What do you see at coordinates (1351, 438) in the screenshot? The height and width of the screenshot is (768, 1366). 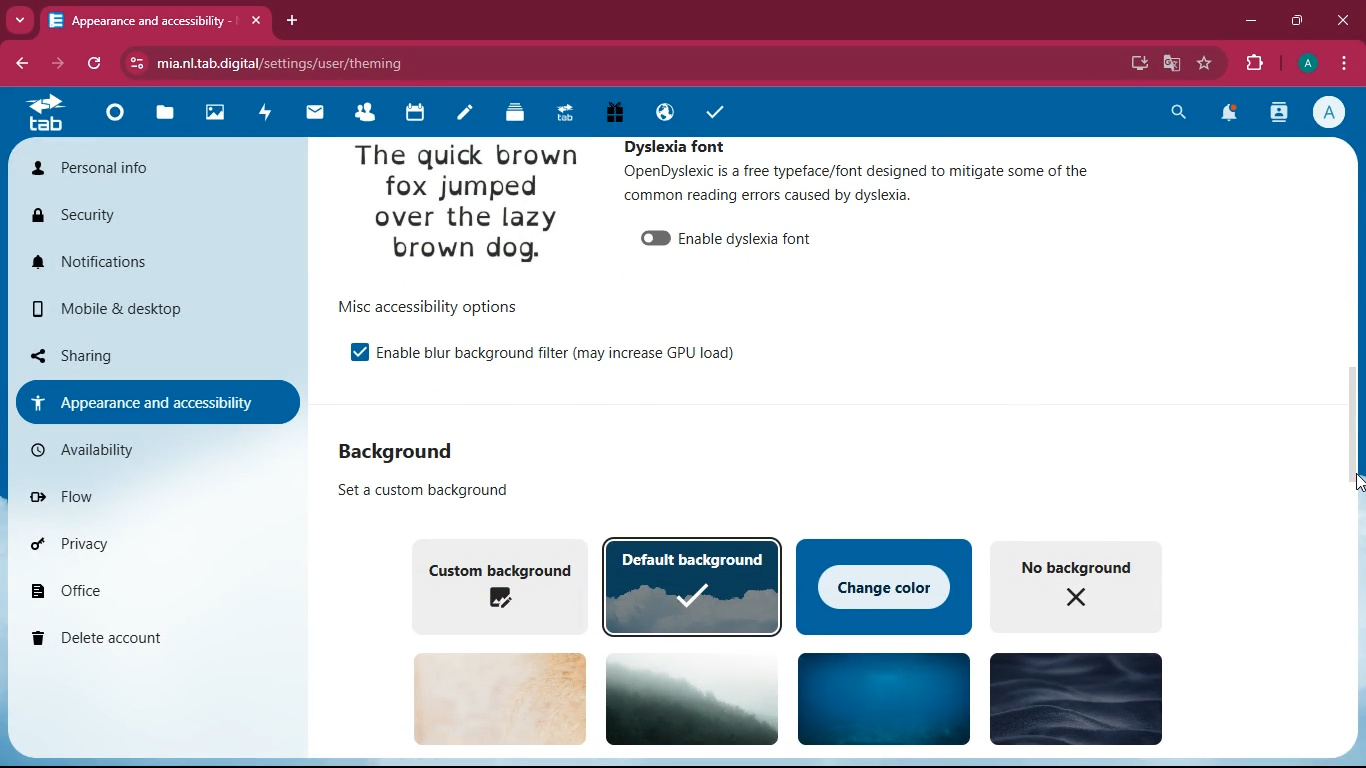 I see `scroll bar` at bounding box center [1351, 438].